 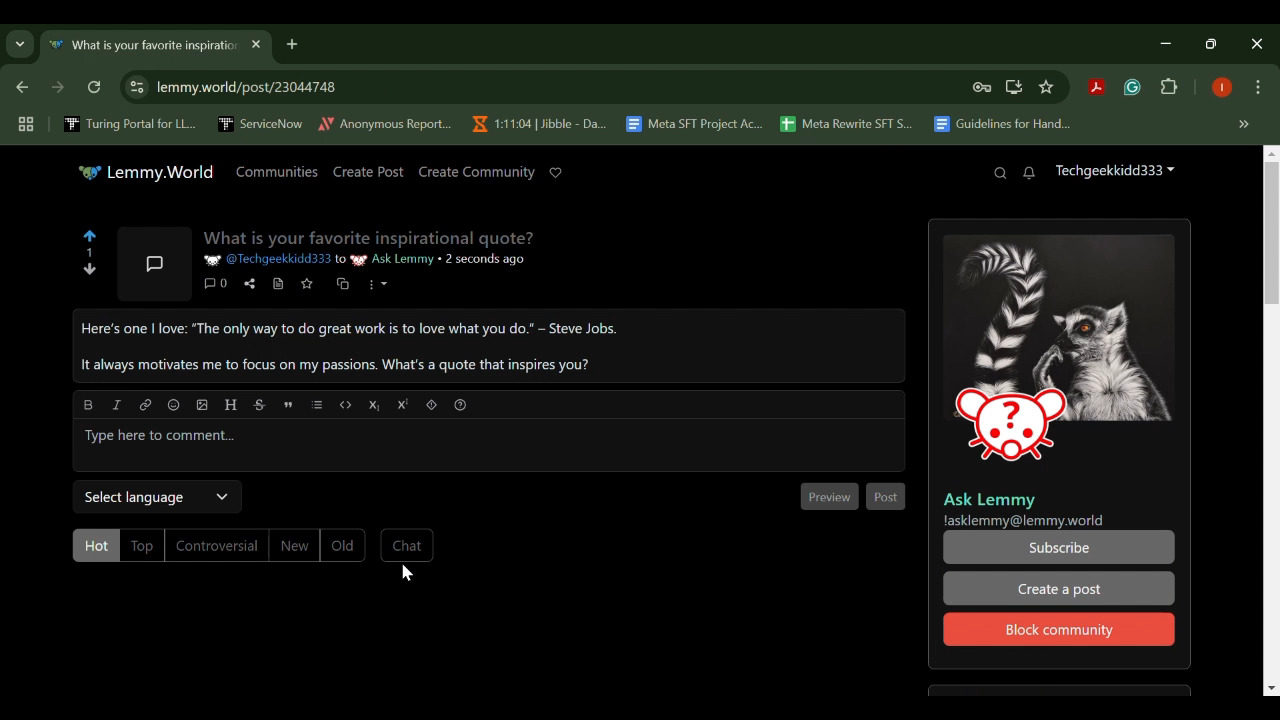 What do you see at coordinates (1272, 419) in the screenshot?
I see `Scroll Bar` at bounding box center [1272, 419].